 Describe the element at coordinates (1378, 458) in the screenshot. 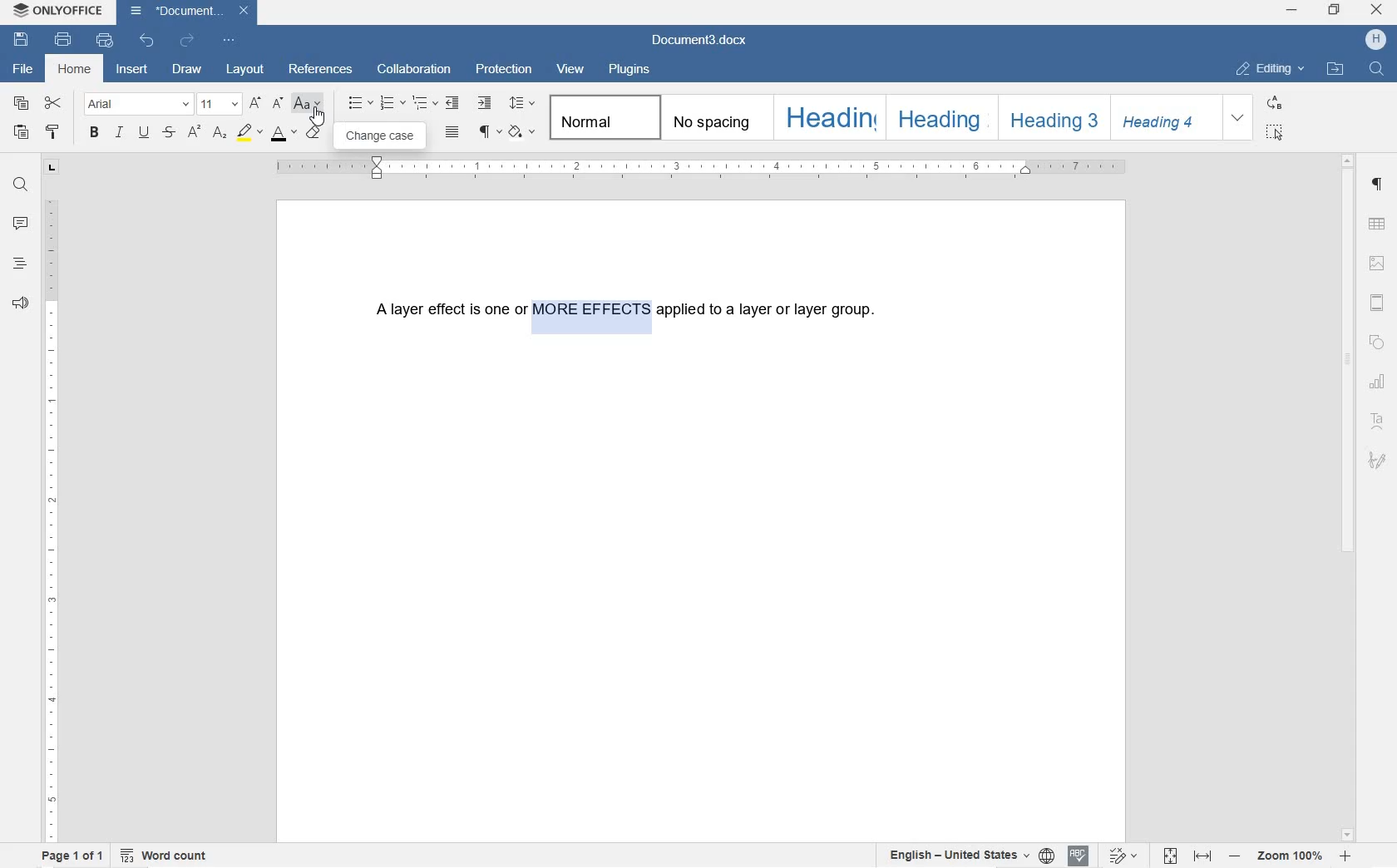

I see `SIGNATURE` at that location.